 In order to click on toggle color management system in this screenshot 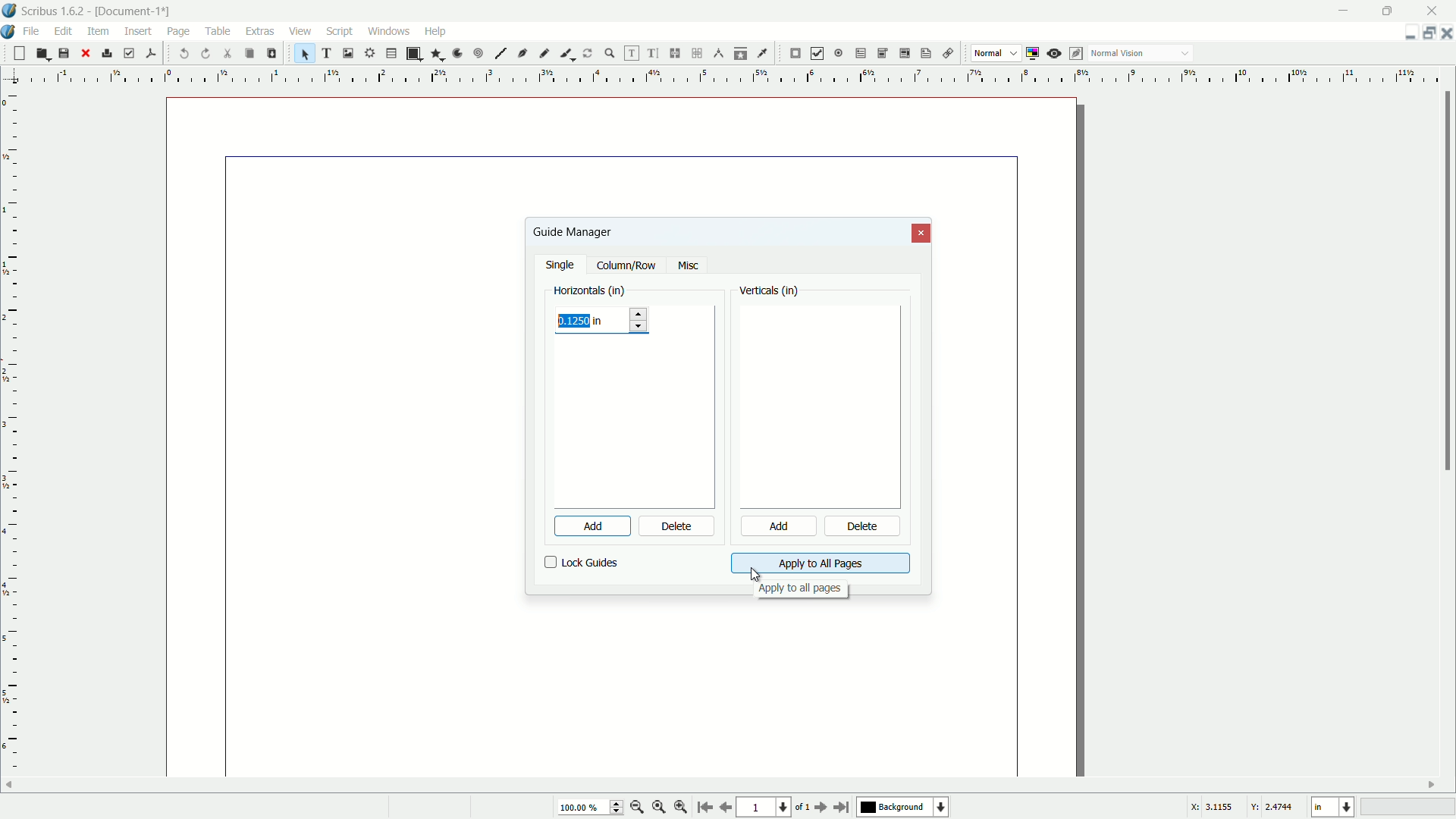, I will do `click(1034, 53)`.